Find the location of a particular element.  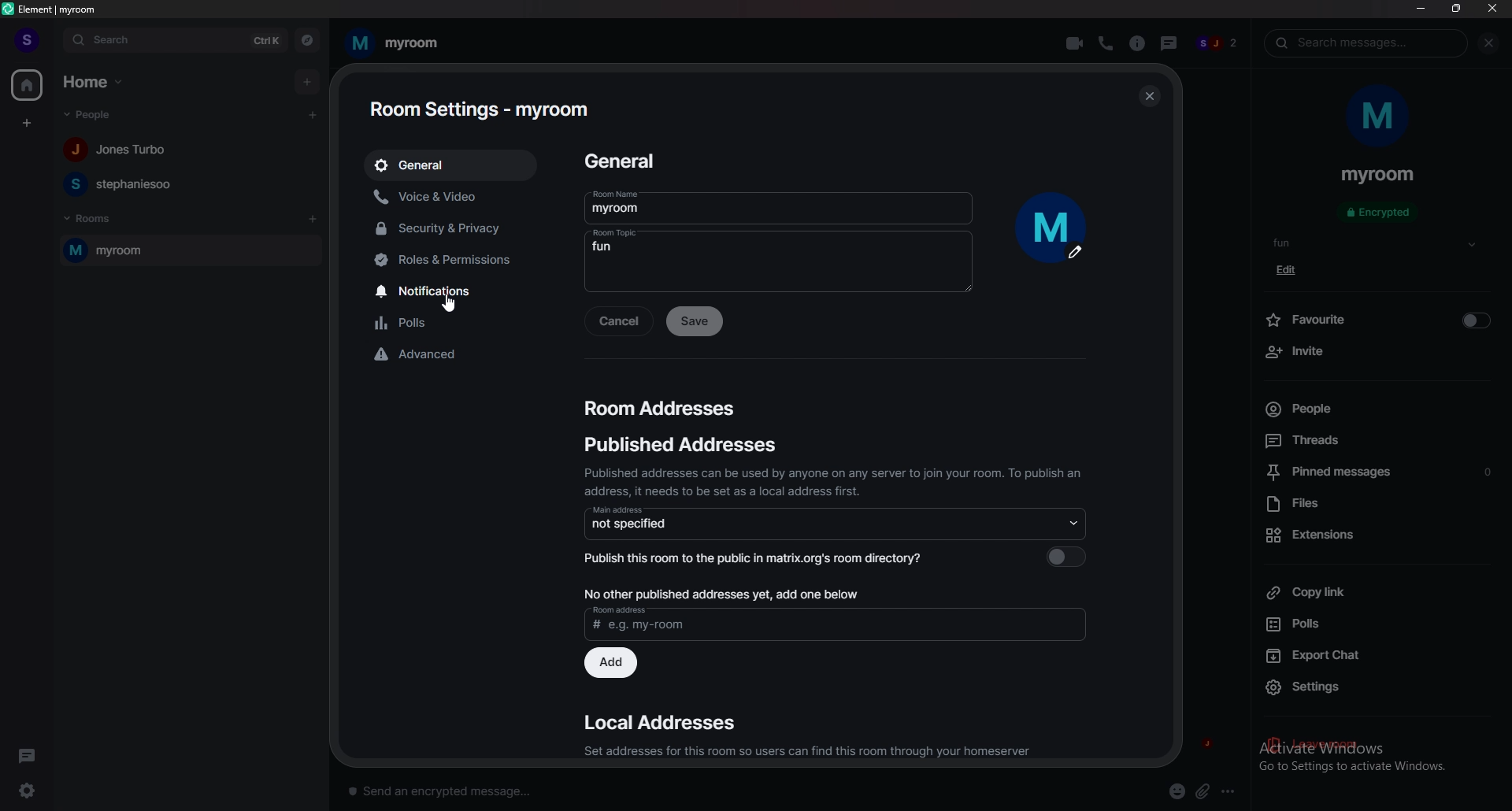

advanced is located at coordinates (460, 356).